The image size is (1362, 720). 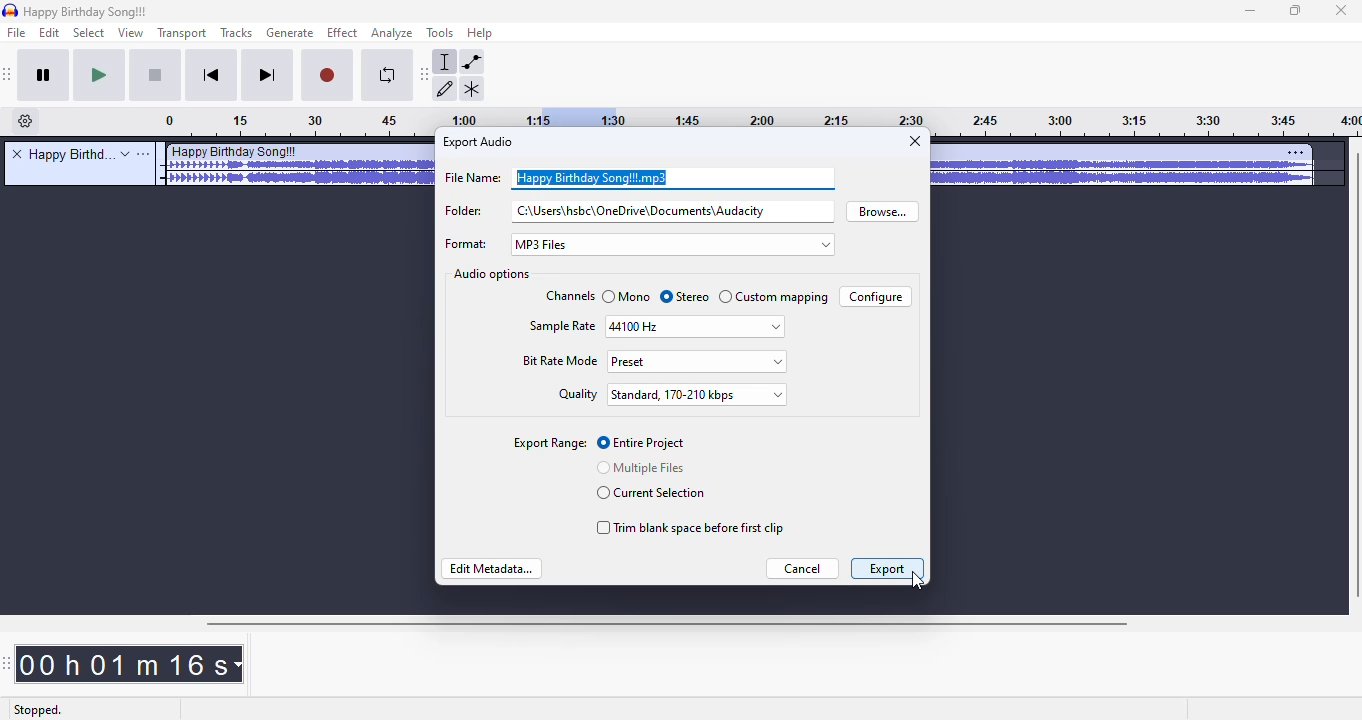 What do you see at coordinates (45, 76) in the screenshot?
I see `pause` at bounding box center [45, 76].